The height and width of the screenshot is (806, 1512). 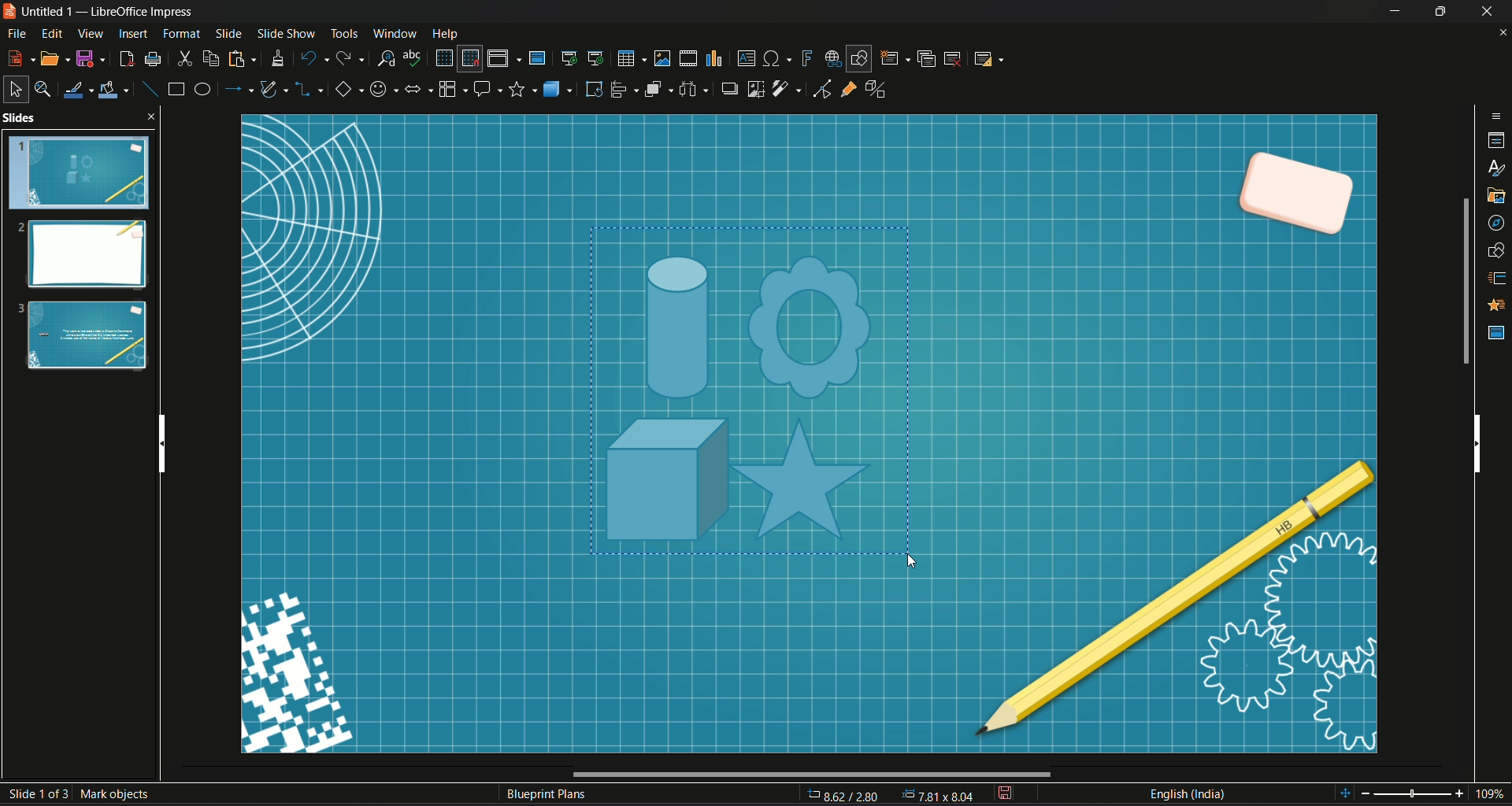 I want to click on gluepoint, so click(x=848, y=87).